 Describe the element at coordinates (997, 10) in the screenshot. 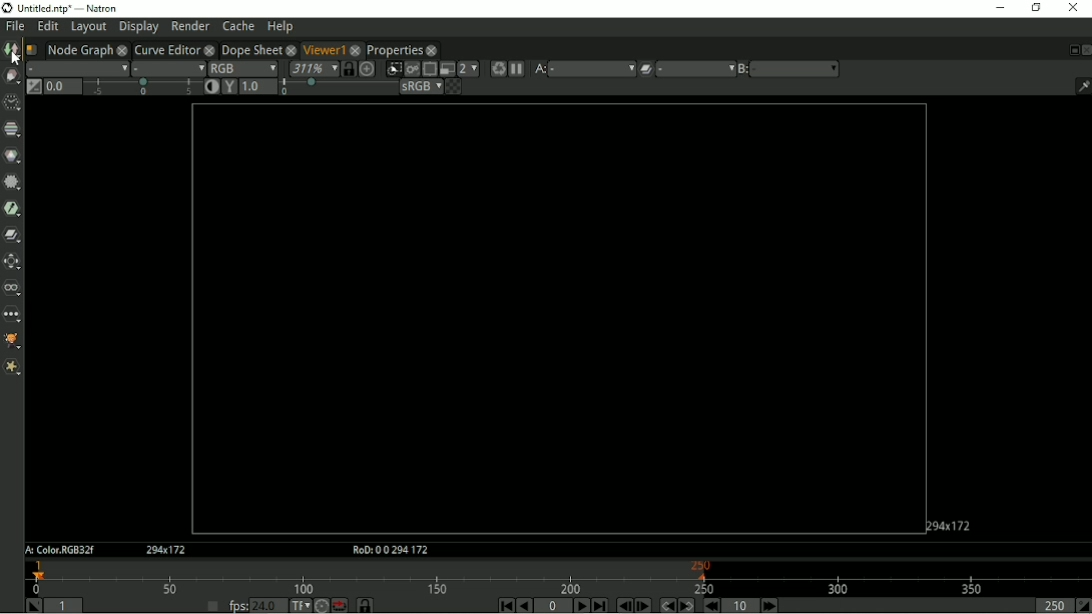

I see `Minimize` at that location.